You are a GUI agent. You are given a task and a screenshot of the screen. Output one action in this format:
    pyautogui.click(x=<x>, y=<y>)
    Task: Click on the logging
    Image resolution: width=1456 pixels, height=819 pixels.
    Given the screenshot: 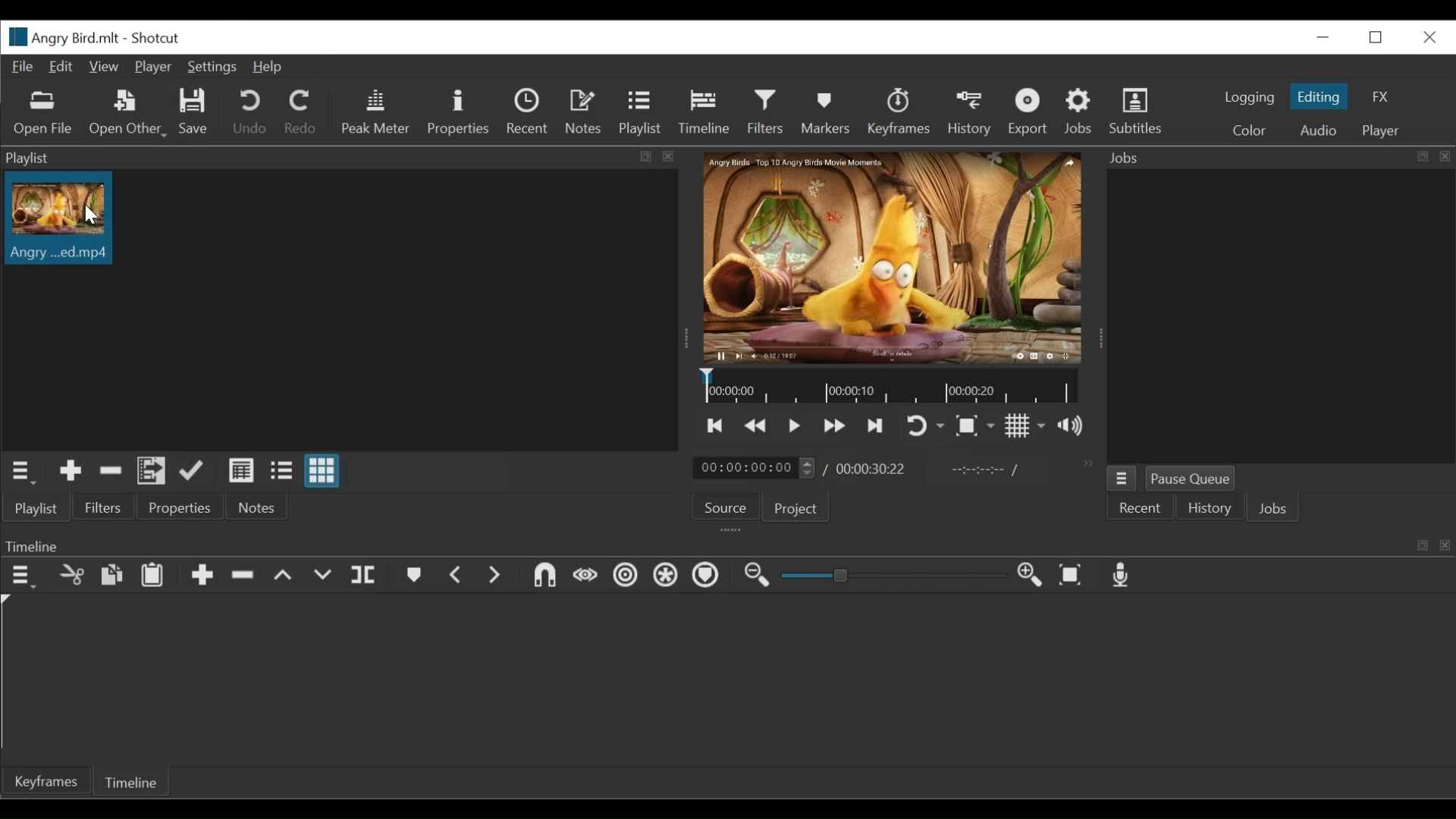 What is the action you would take?
    pyautogui.click(x=1250, y=97)
    